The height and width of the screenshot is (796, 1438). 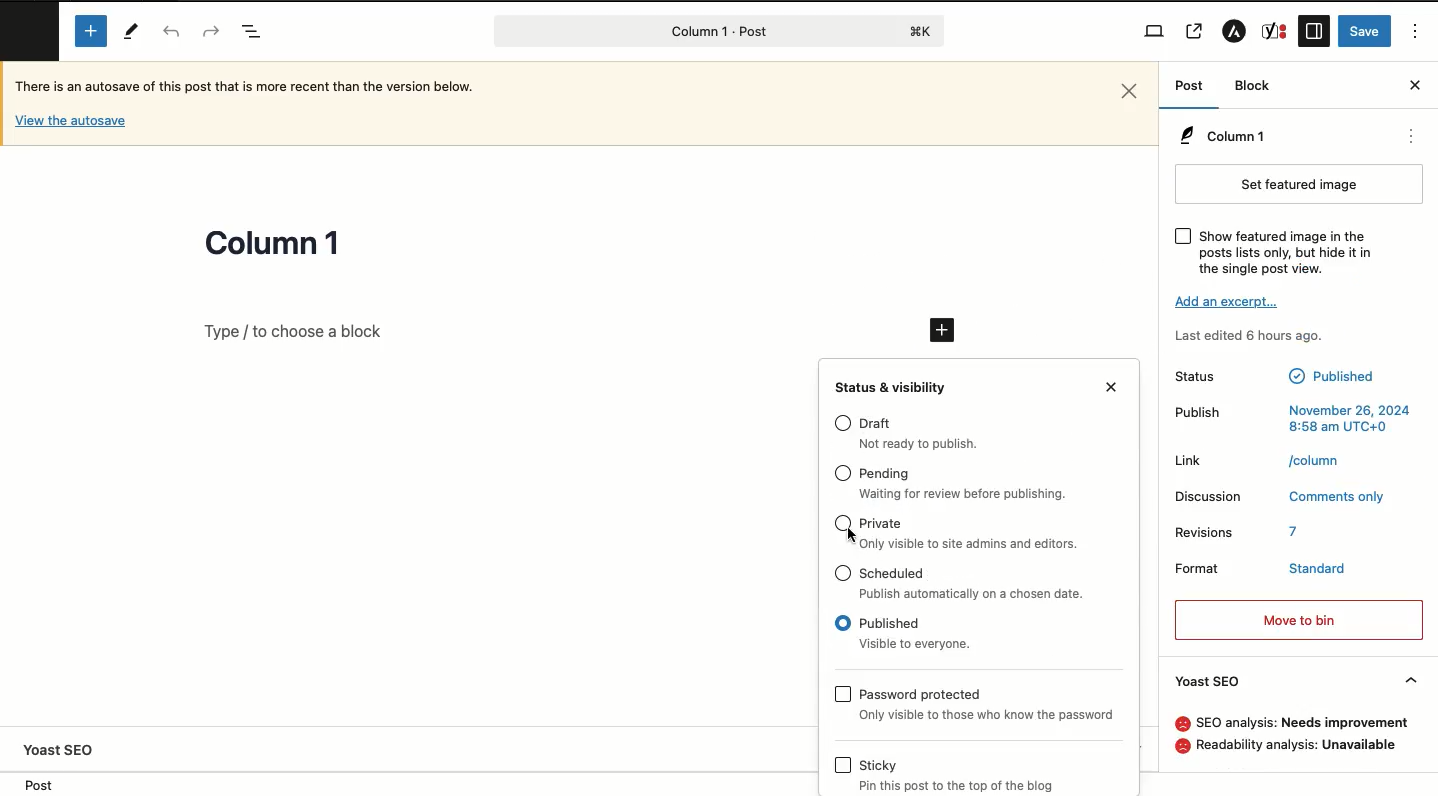 What do you see at coordinates (1188, 87) in the screenshot?
I see `Post` at bounding box center [1188, 87].